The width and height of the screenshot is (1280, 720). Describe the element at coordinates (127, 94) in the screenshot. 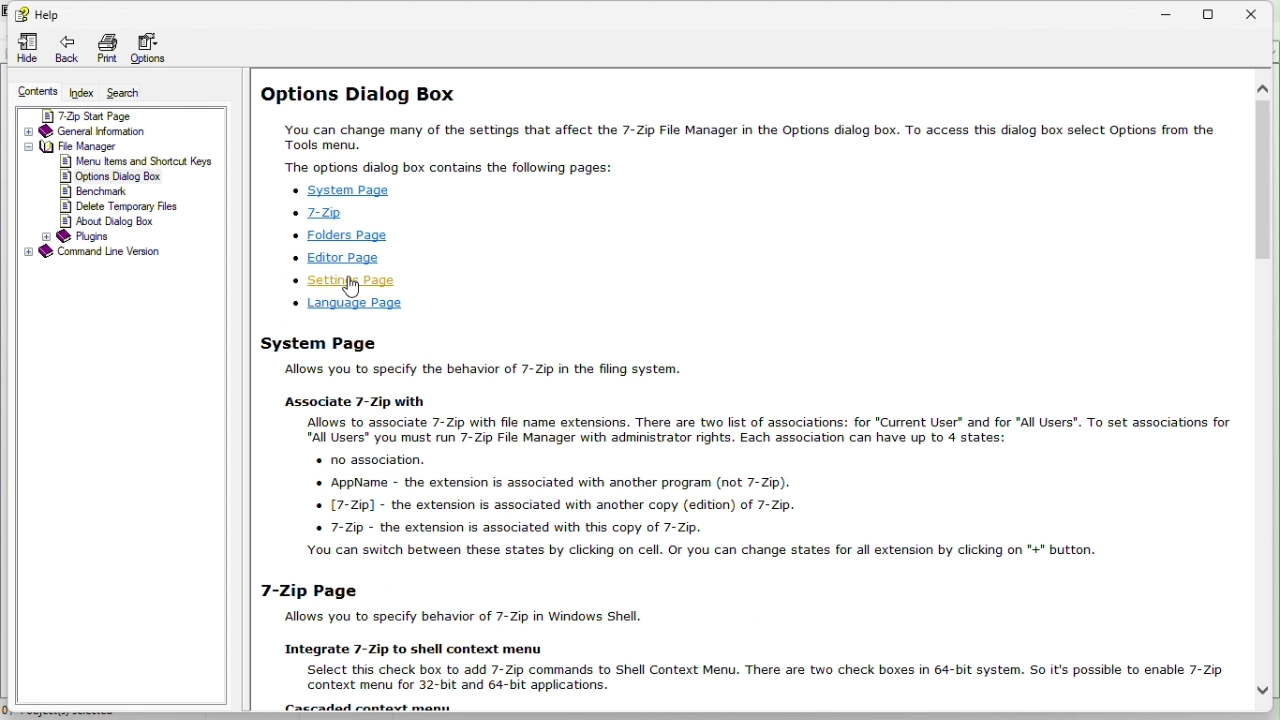

I see `Search` at that location.